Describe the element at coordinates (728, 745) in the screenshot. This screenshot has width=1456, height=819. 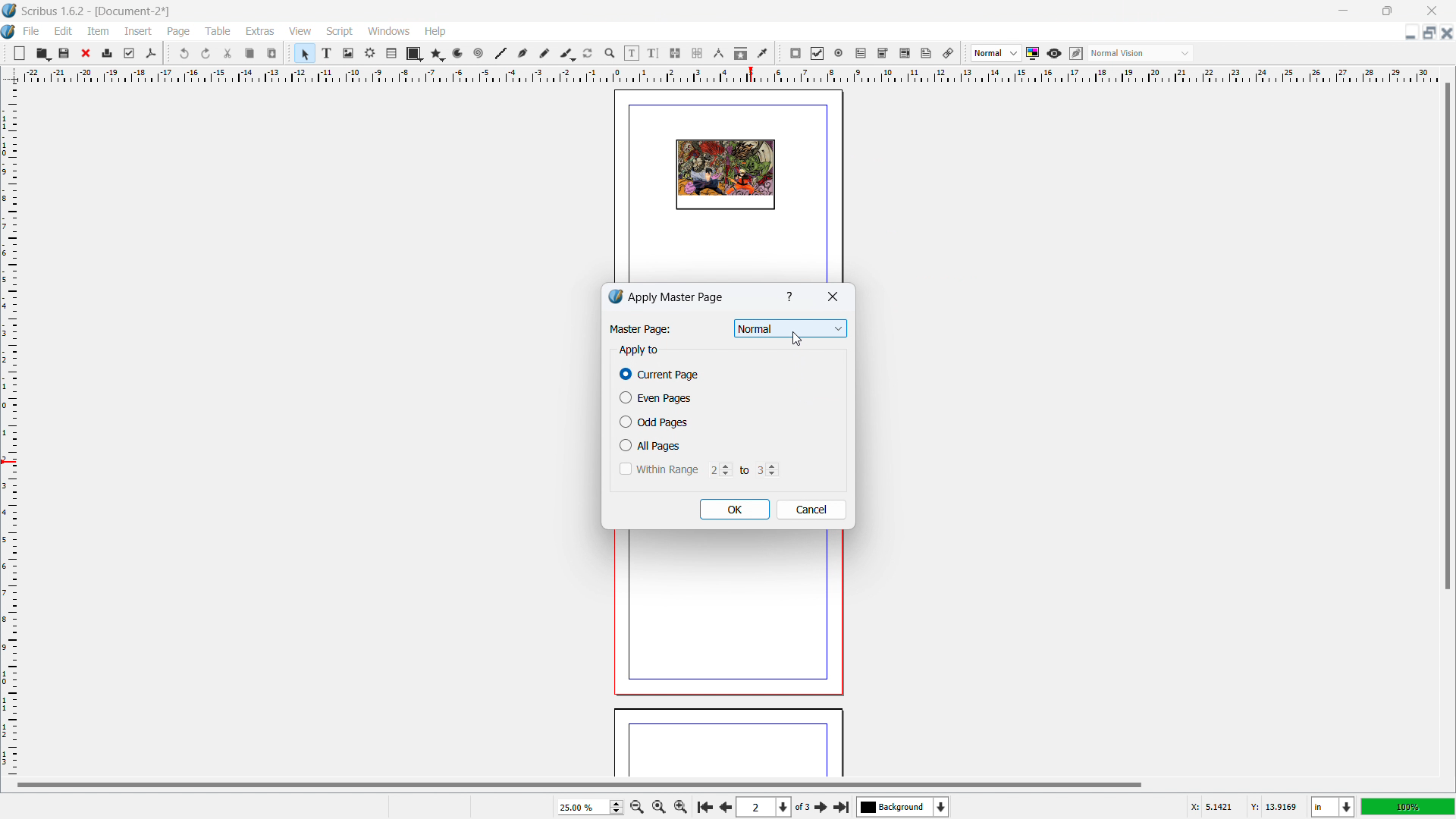
I see `page` at that location.